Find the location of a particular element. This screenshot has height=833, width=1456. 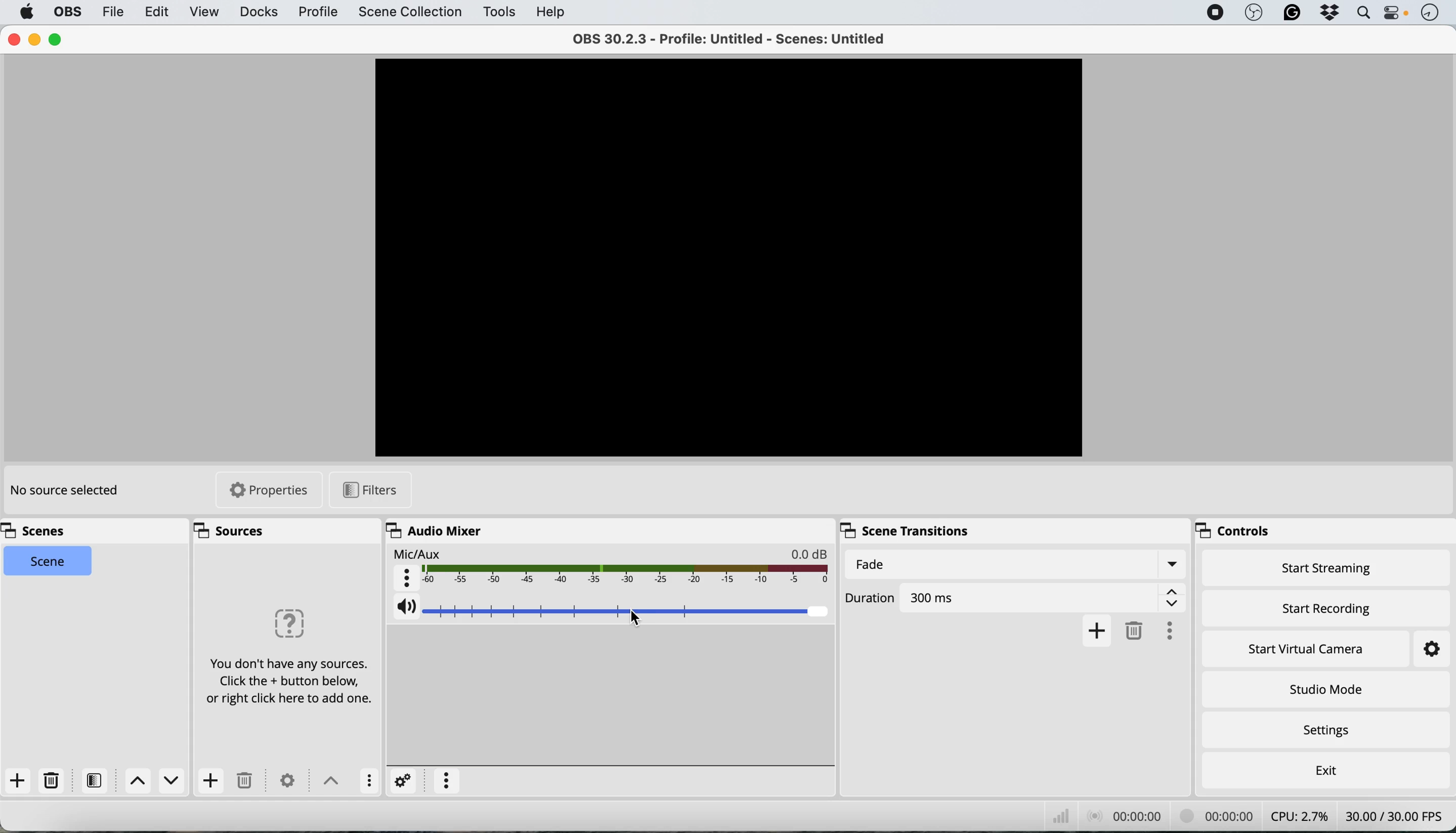

screen recorder is located at coordinates (1214, 11).